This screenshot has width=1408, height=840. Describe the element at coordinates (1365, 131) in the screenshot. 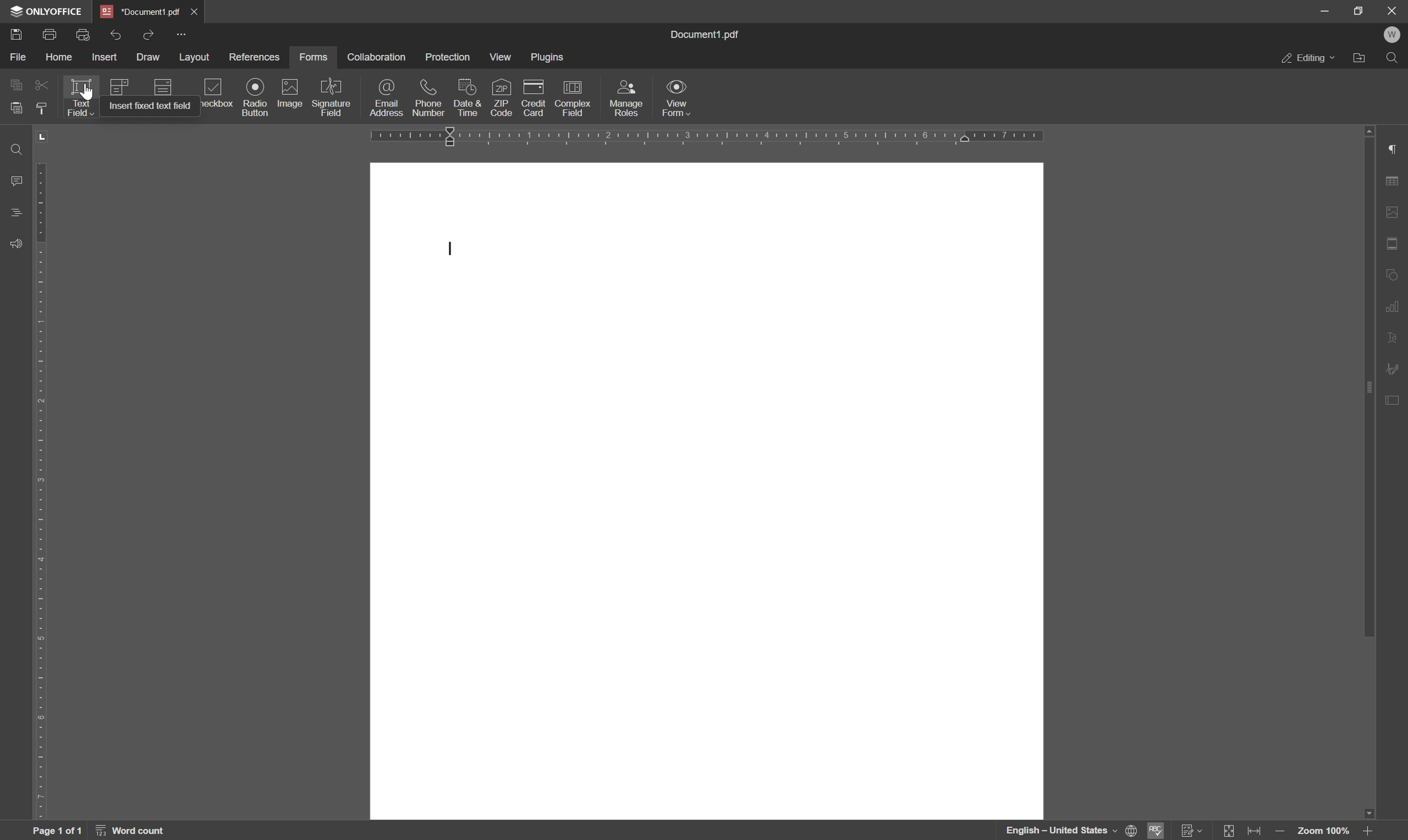

I see `scroll up` at that location.